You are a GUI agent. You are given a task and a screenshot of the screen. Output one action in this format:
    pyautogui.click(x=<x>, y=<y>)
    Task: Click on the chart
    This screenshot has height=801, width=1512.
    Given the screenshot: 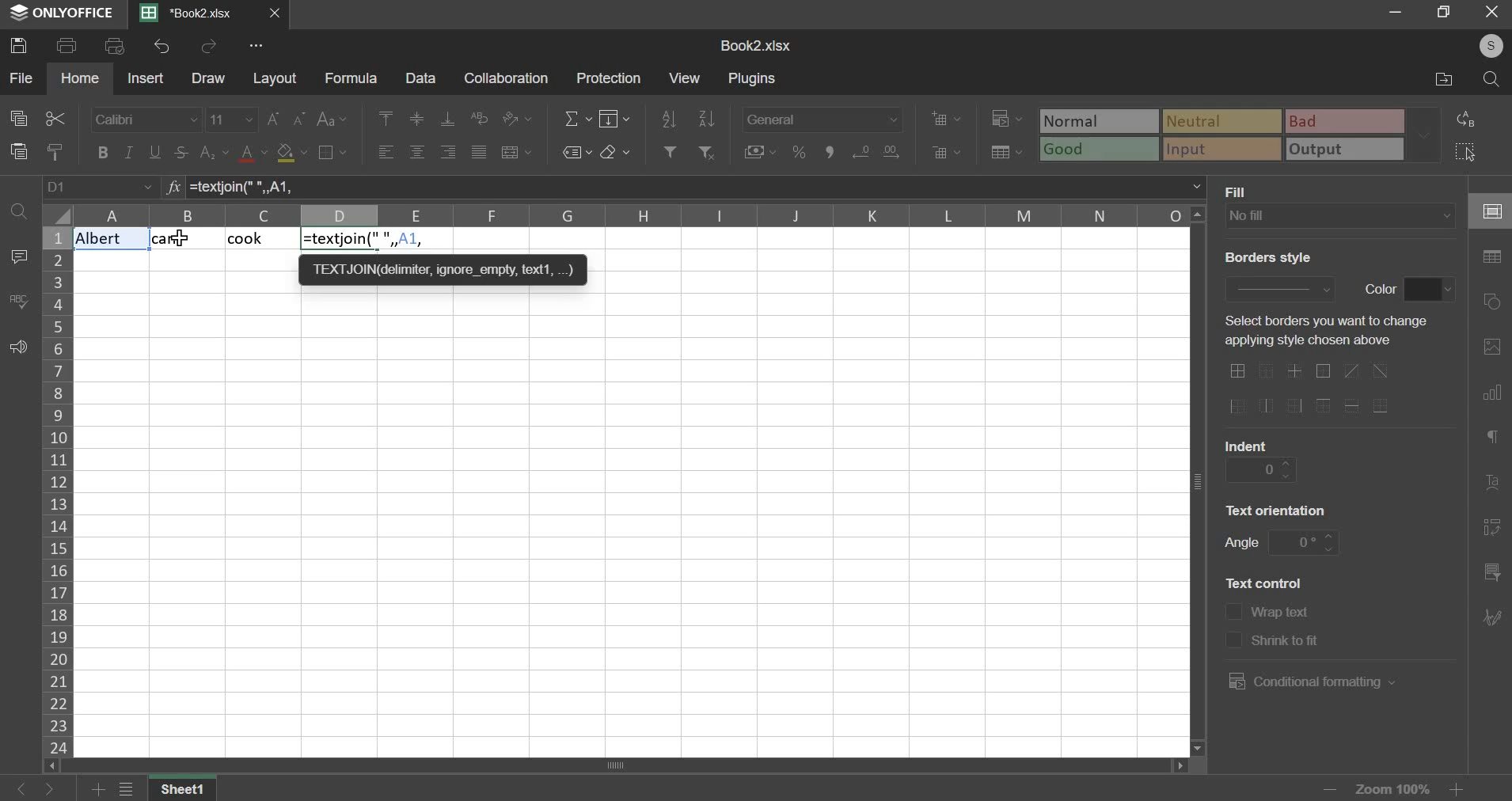 What is the action you would take?
    pyautogui.click(x=1491, y=396)
    